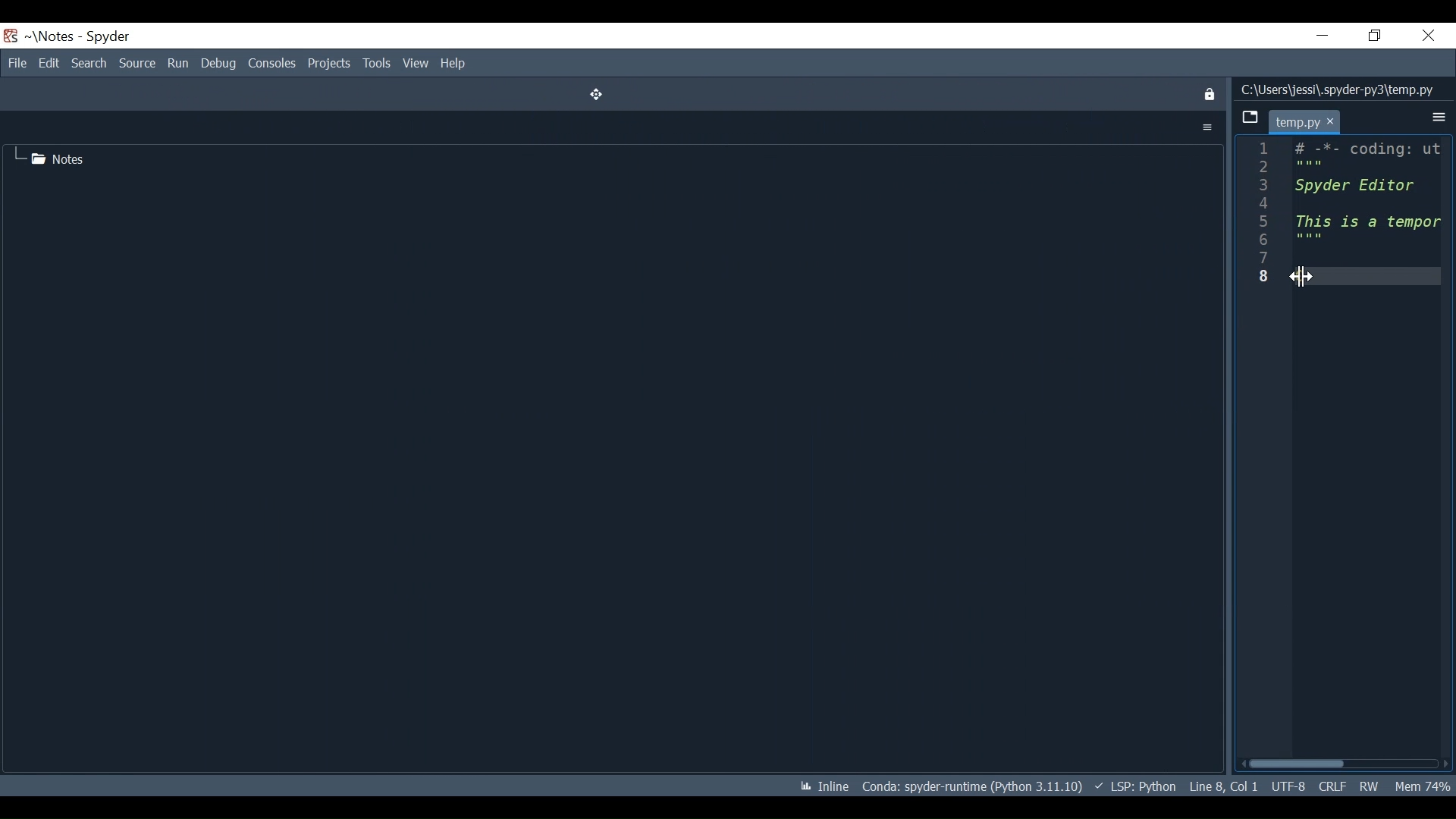 The image size is (1456, 819). I want to click on File, so click(15, 63).